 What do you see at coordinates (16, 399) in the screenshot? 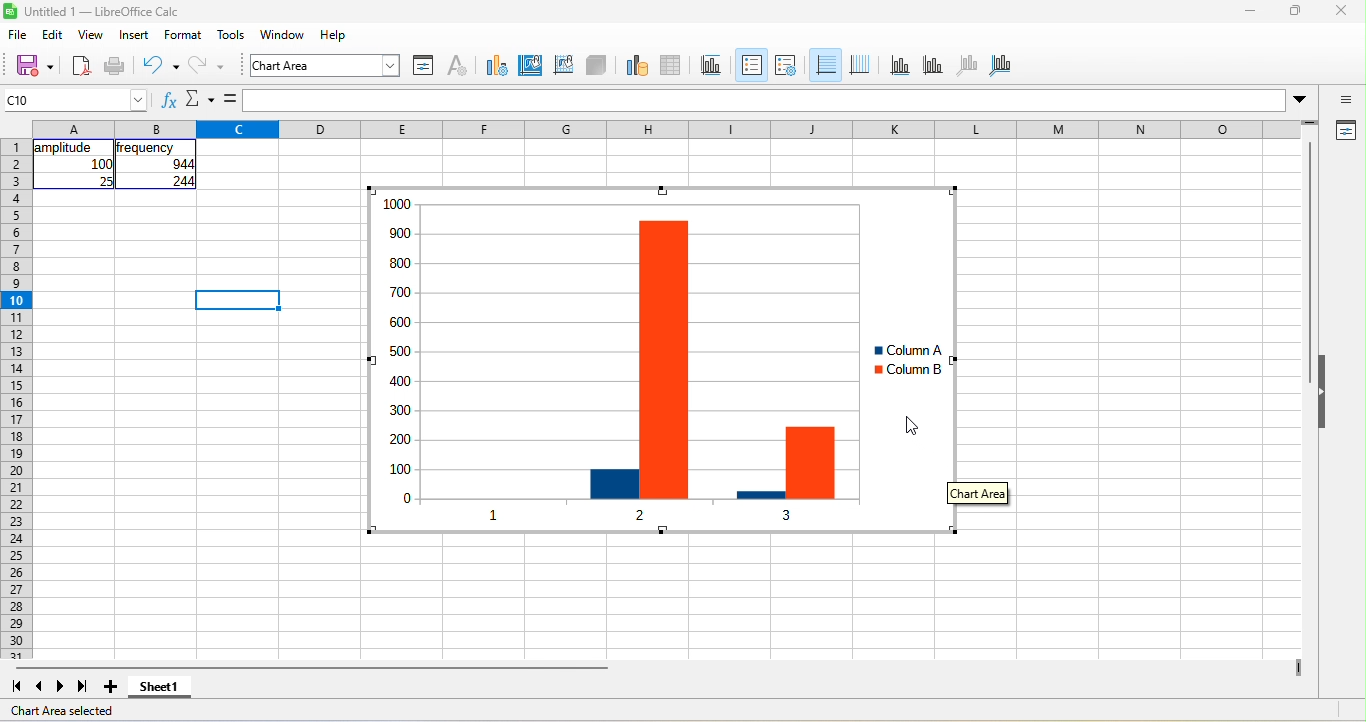
I see `rows` at bounding box center [16, 399].